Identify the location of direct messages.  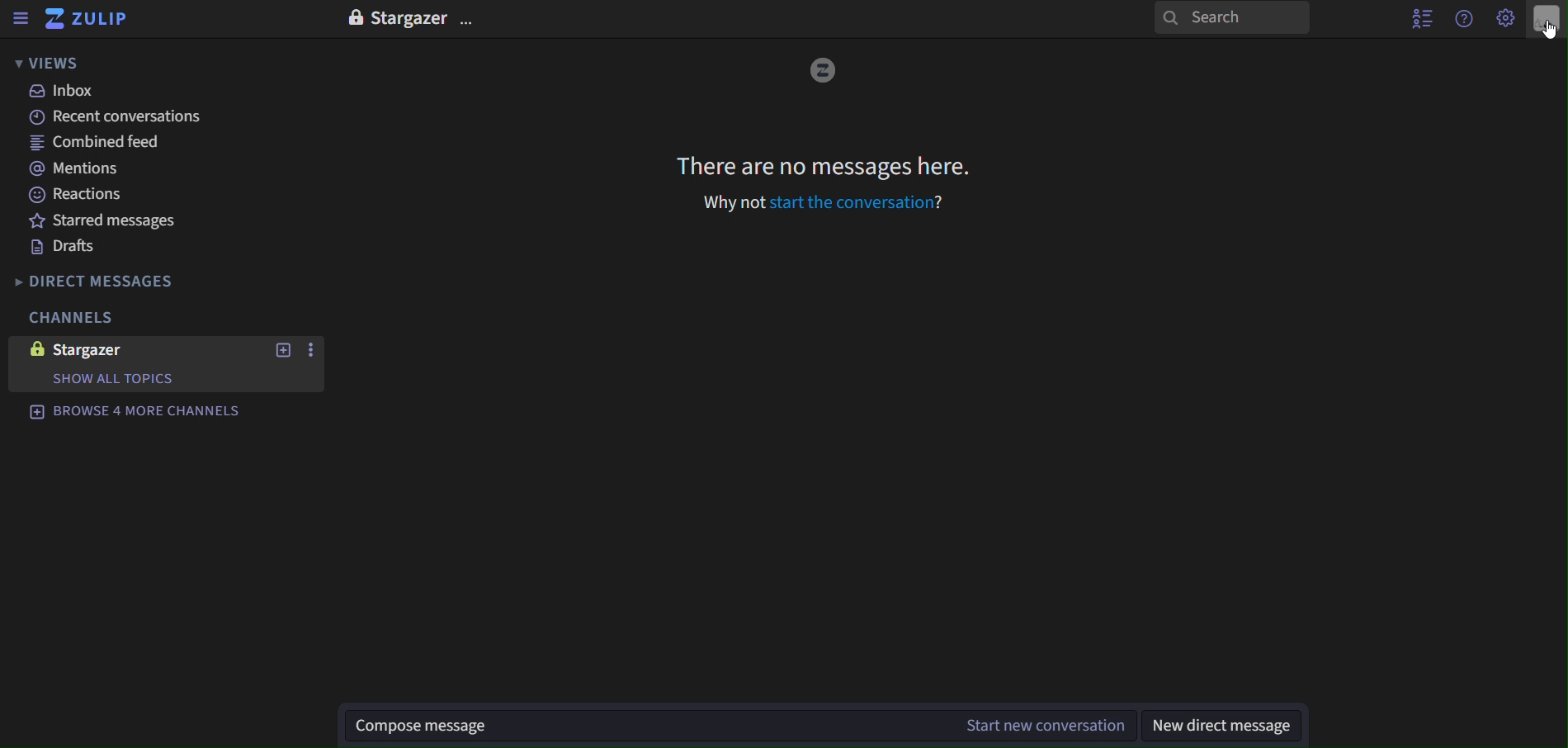
(97, 282).